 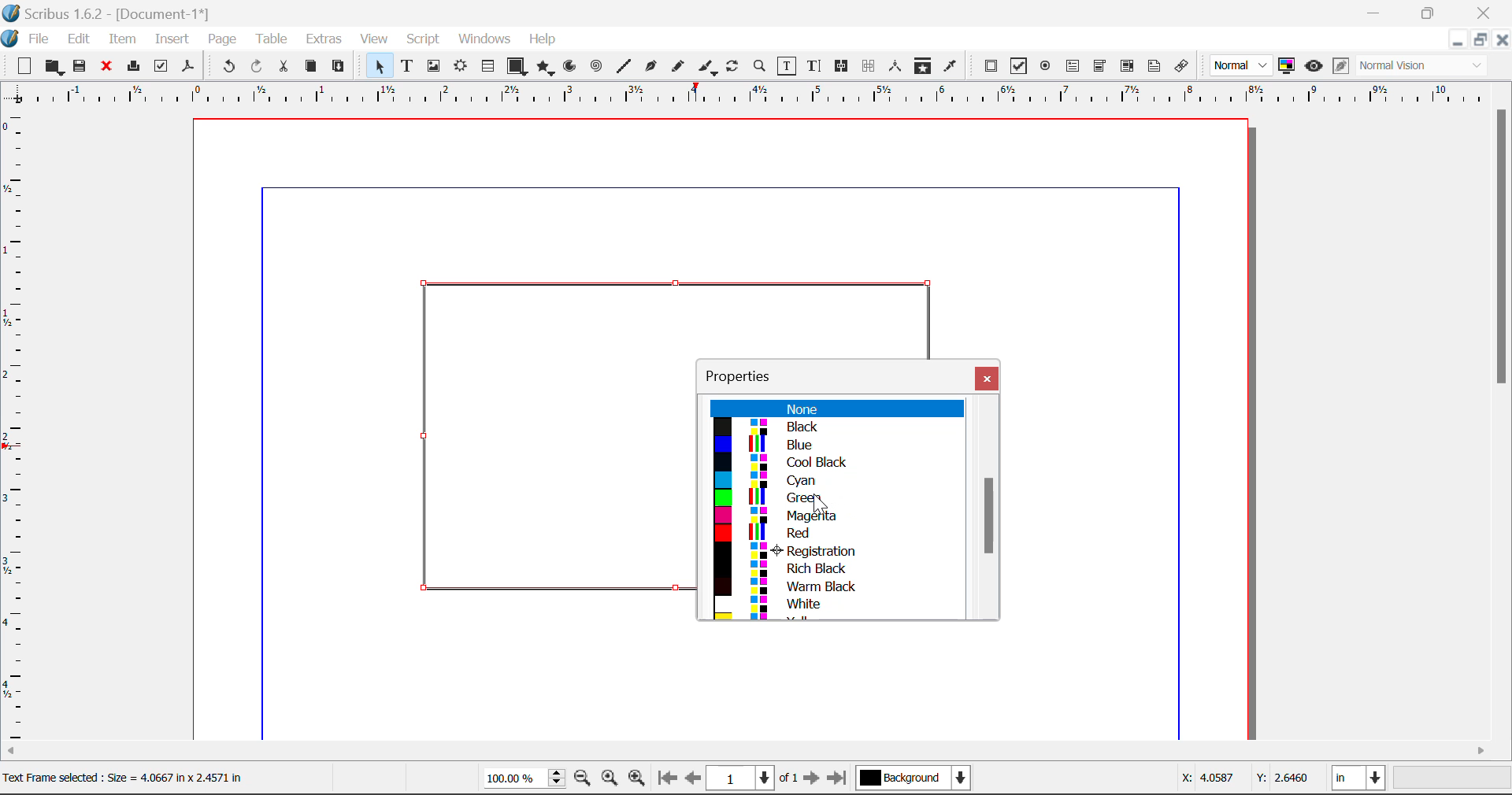 What do you see at coordinates (836, 446) in the screenshot?
I see `Blue` at bounding box center [836, 446].